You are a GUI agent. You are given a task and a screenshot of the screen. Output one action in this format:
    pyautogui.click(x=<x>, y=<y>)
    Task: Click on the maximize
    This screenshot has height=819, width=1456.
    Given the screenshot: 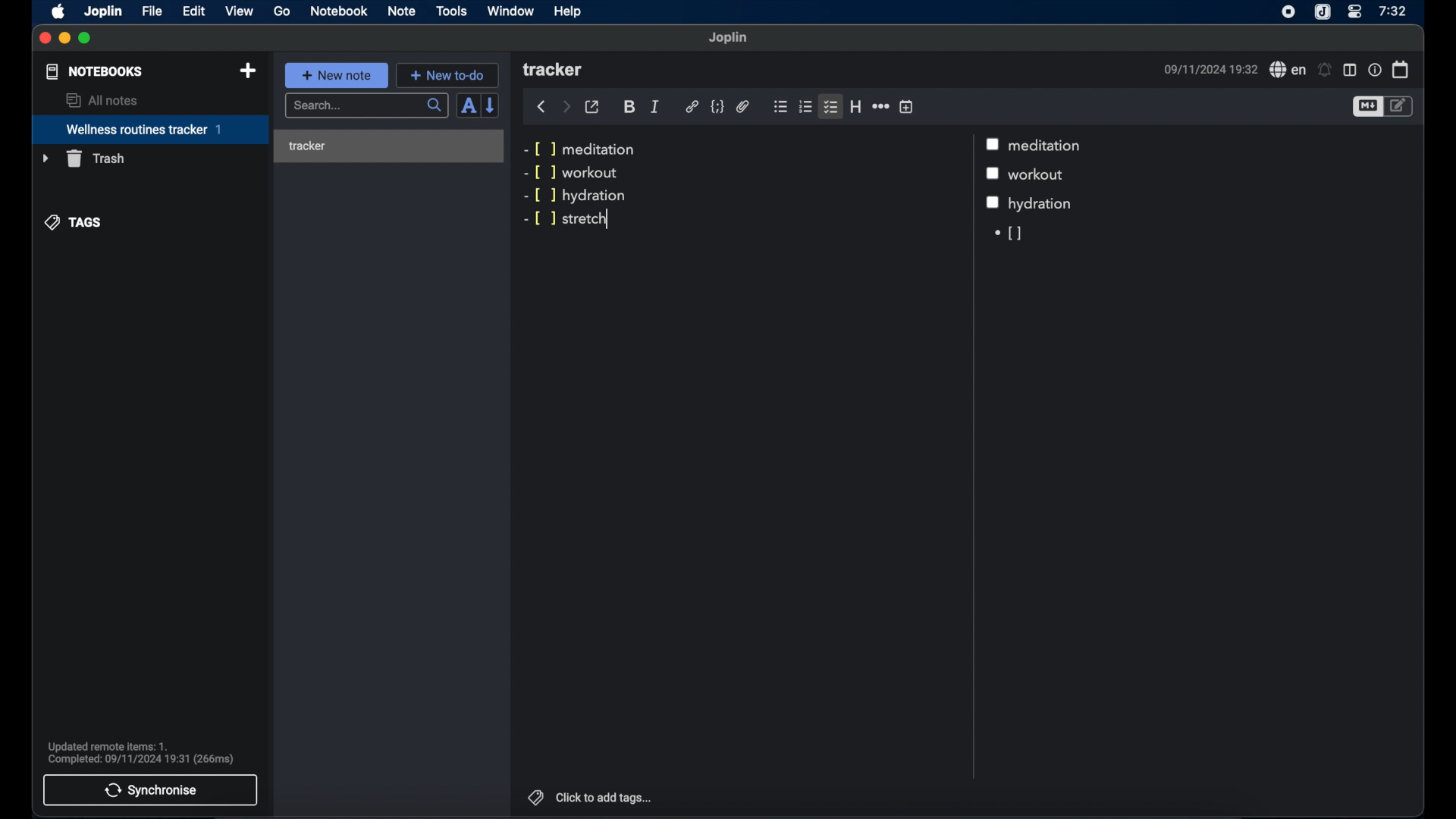 What is the action you would take?
    pyautogui.click(x=86, y=39)
    